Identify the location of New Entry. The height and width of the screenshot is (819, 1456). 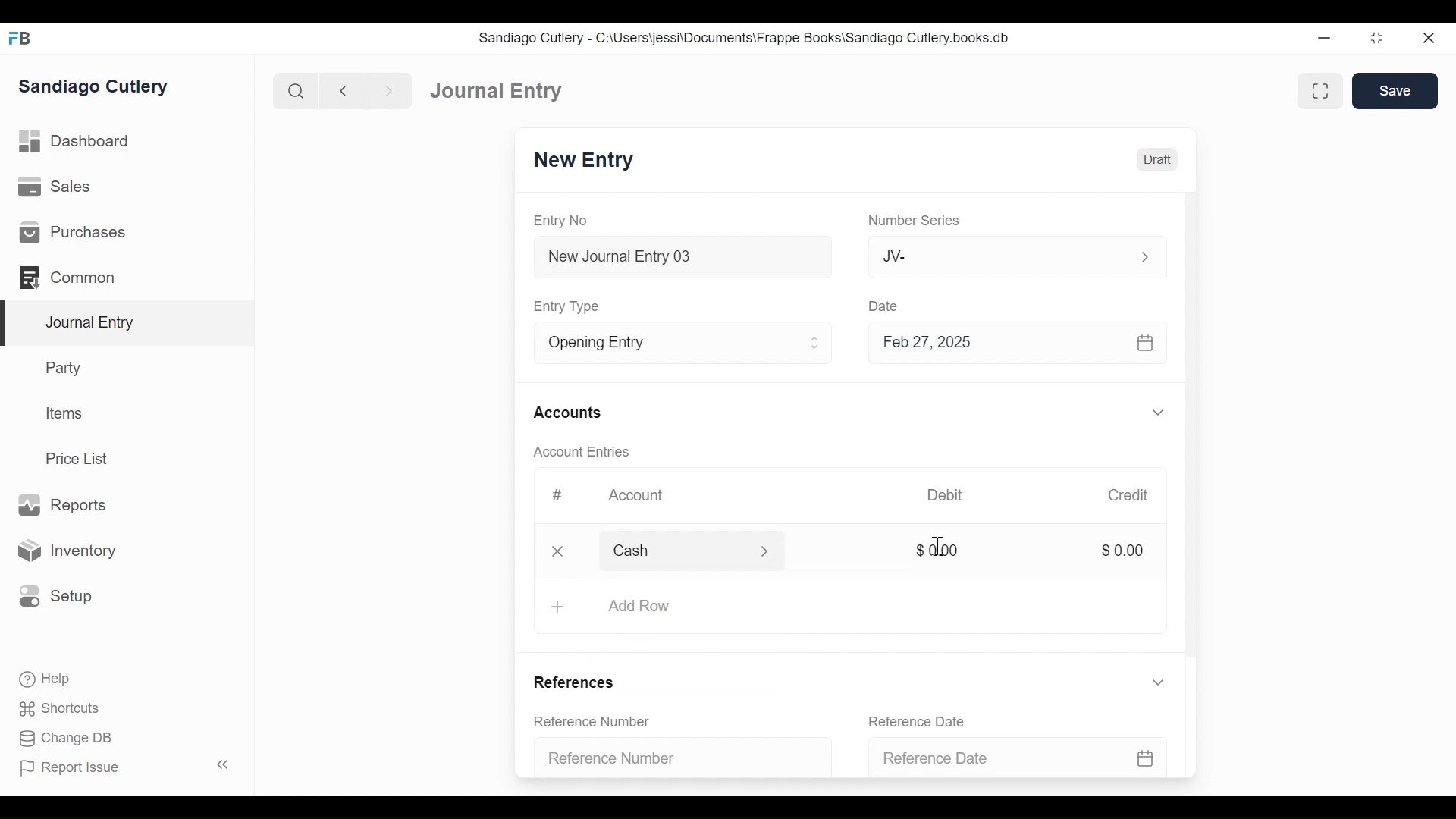
(585, 161).